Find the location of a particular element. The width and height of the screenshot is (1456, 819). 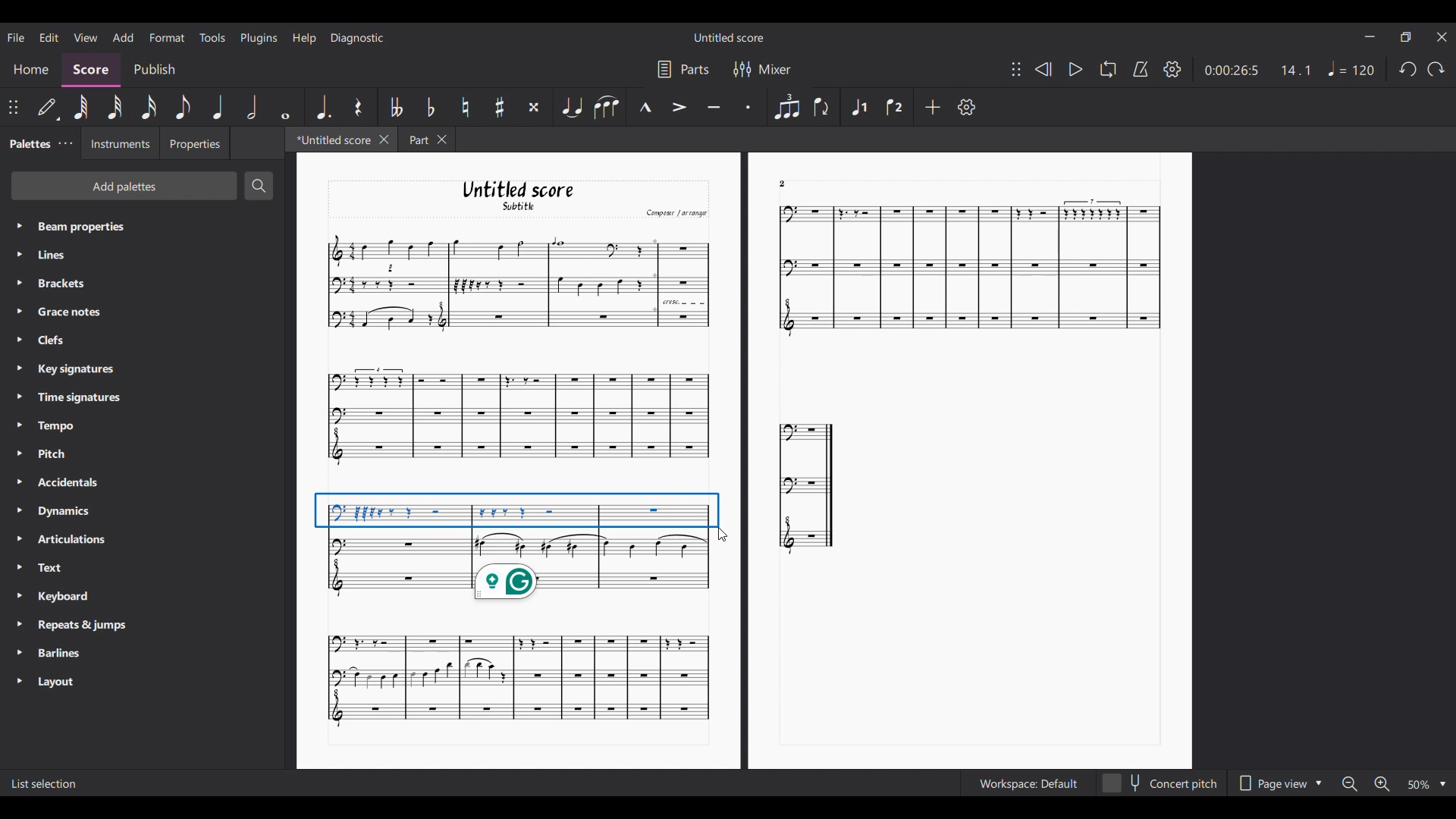

Home  is located at coordinates (30, 71).